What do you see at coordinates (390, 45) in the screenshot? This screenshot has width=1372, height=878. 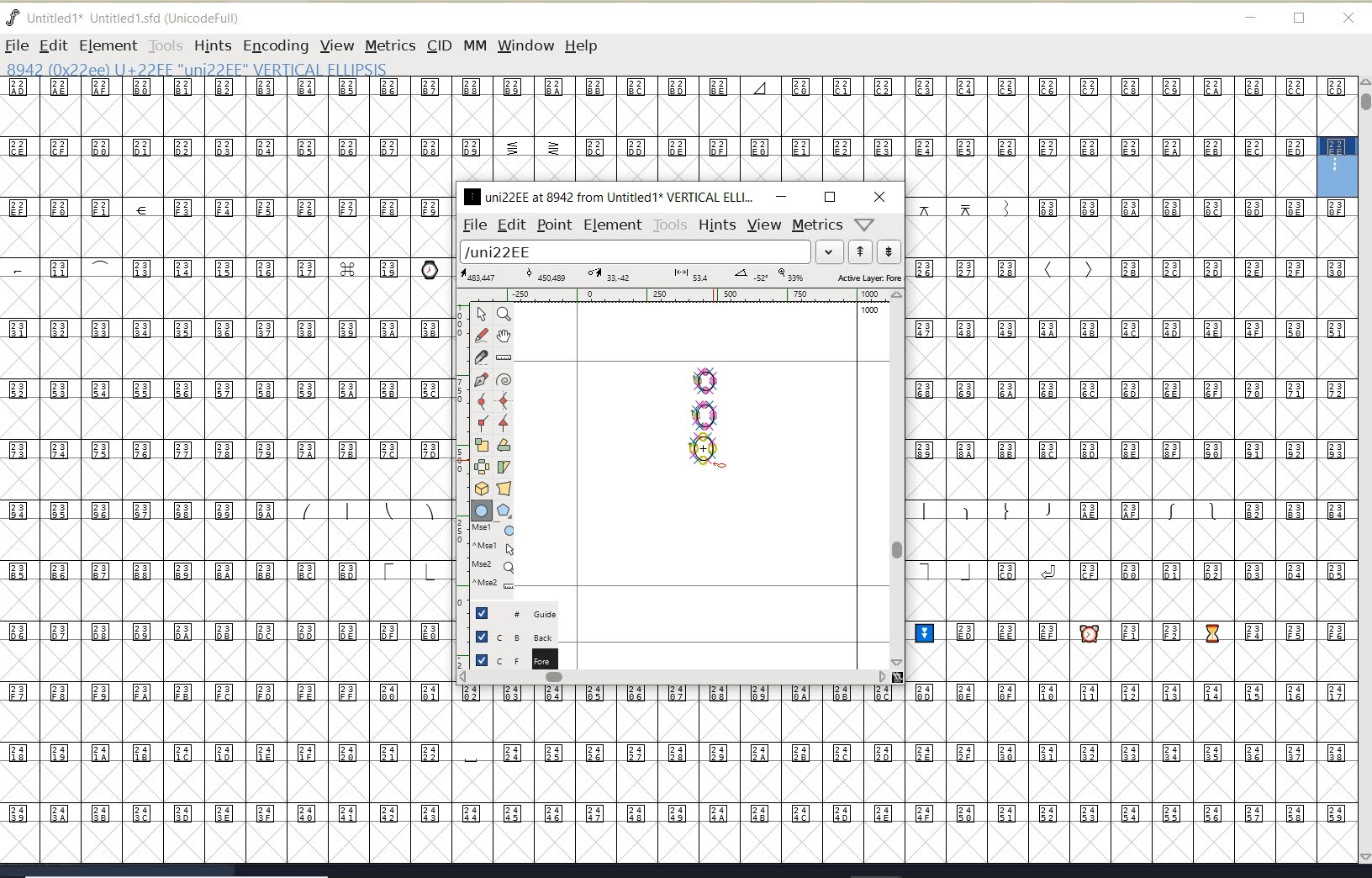 I see `METRICS` at bounding box center [390, 45].